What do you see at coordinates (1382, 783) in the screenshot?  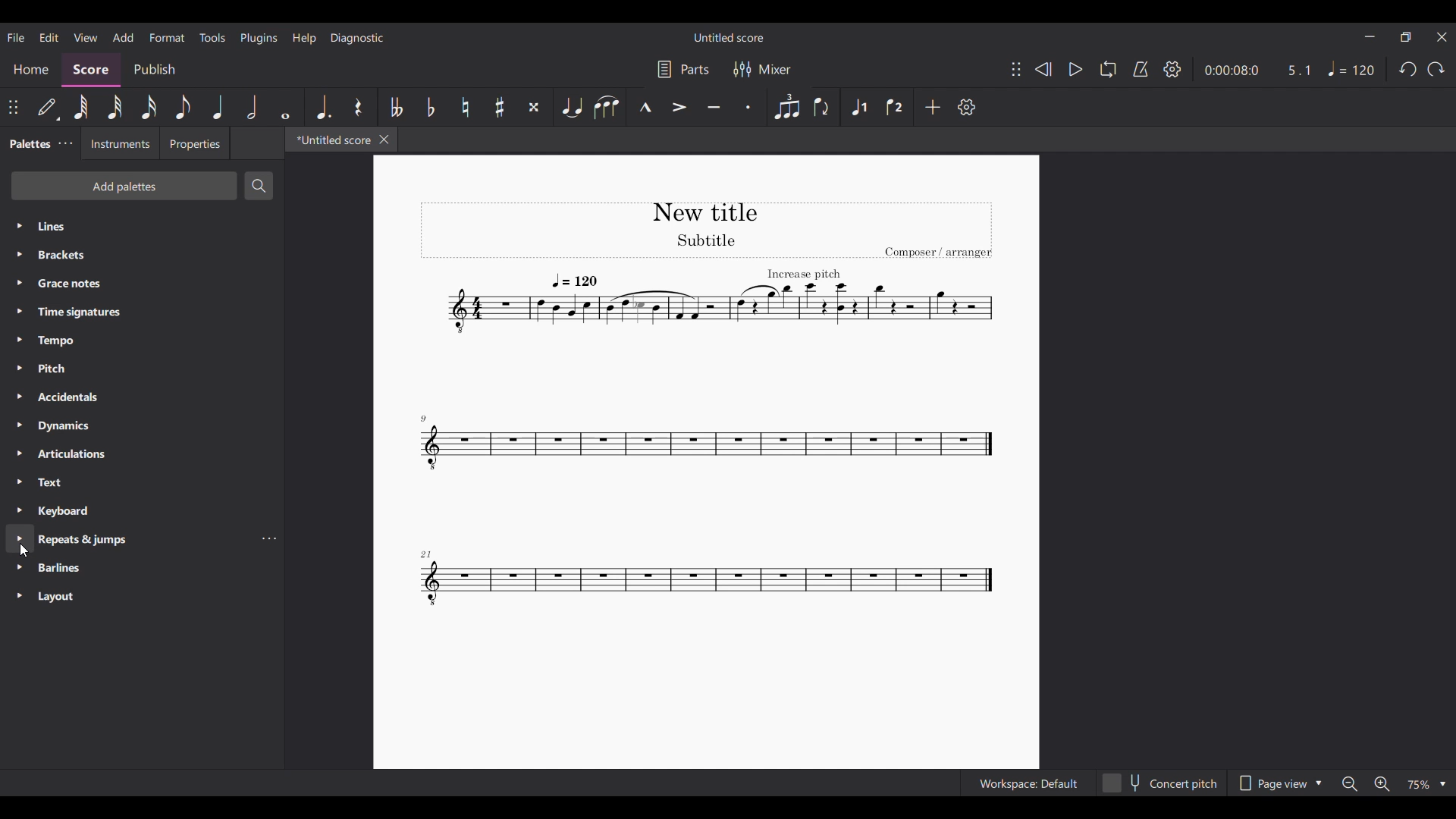 I see `Zoom in` at bounding box center [1382, 783].